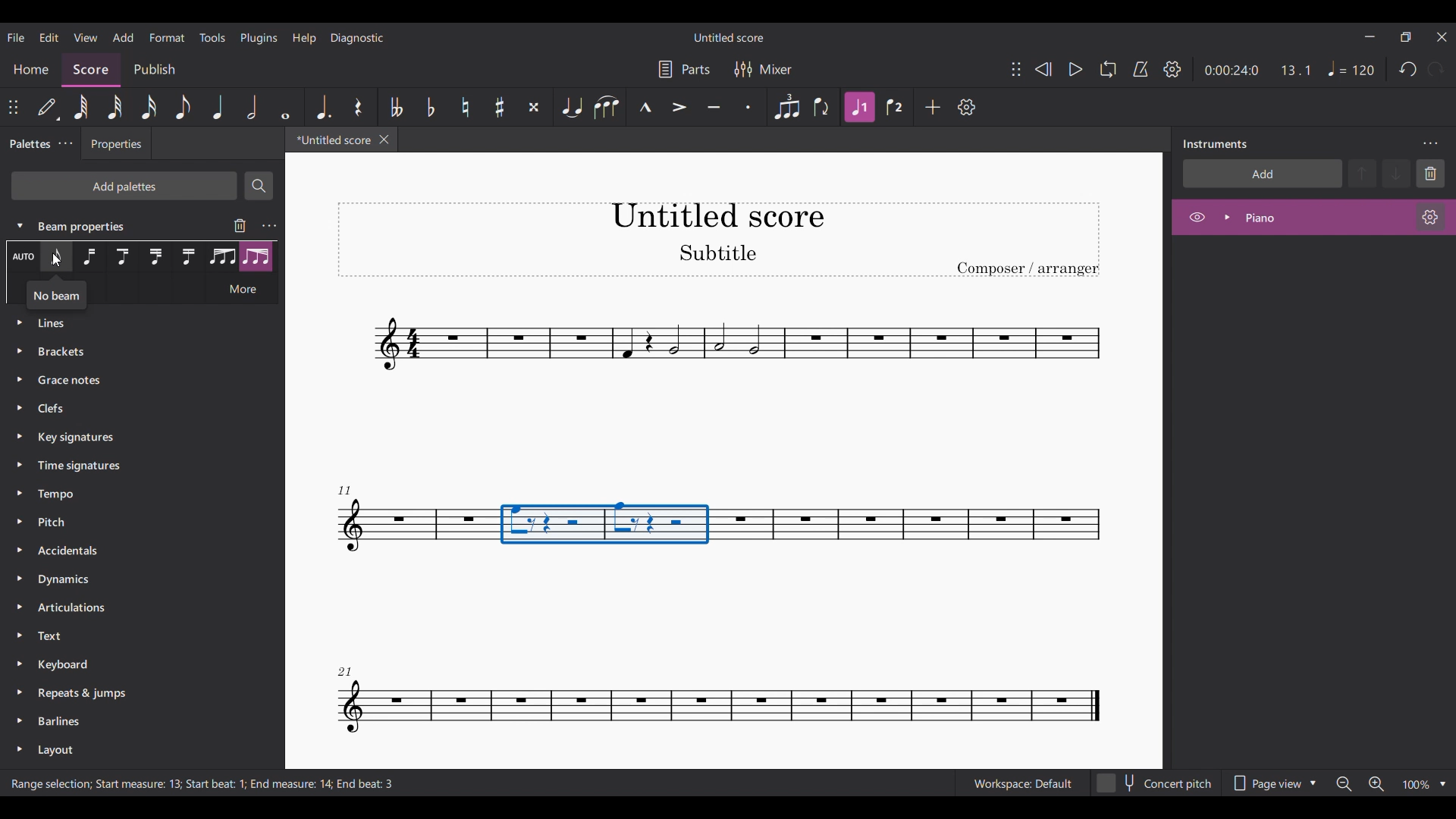  Describe the element at coordinates (55, 300) in the screenshot. I see `No beam` at that location.